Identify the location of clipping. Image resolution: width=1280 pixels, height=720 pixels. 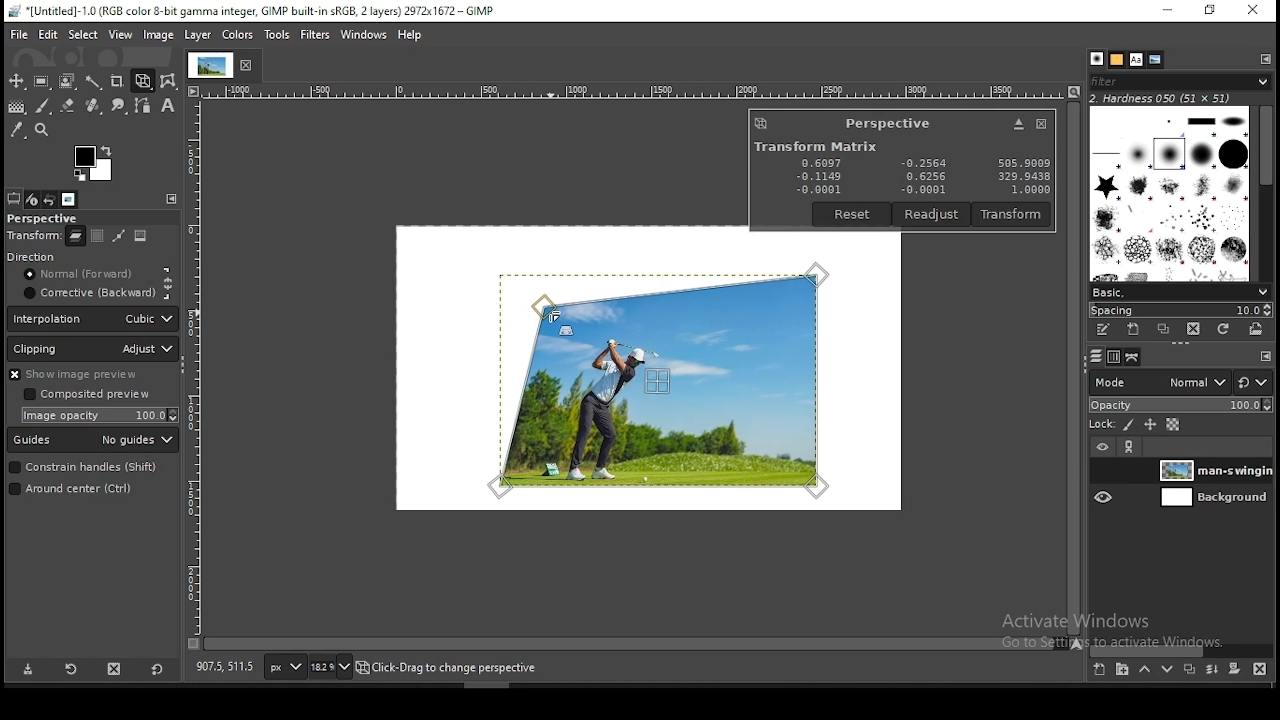
(94, 349).